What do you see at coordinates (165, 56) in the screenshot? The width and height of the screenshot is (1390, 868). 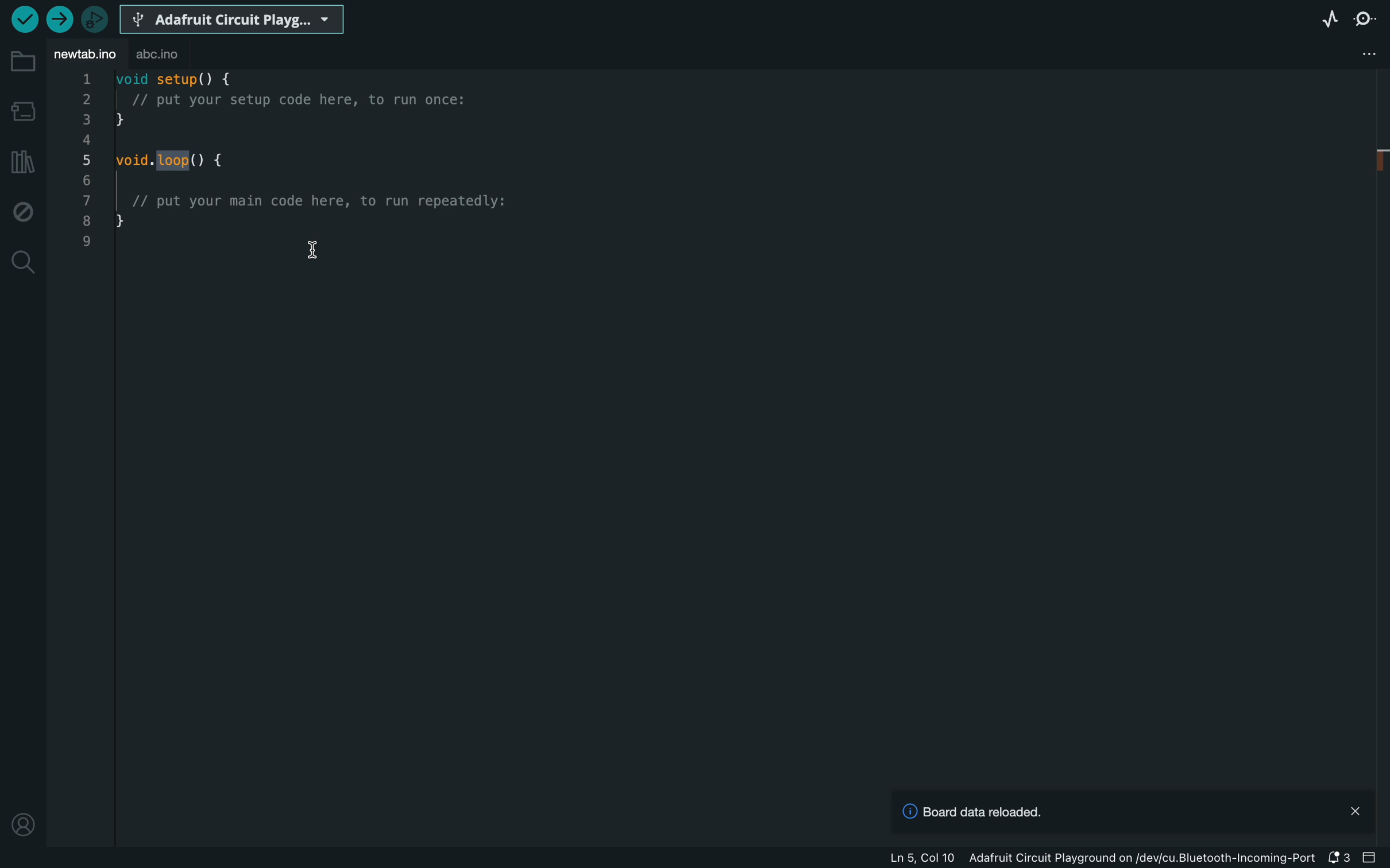 I see `abc.ino` at bounding box center [165, 56].